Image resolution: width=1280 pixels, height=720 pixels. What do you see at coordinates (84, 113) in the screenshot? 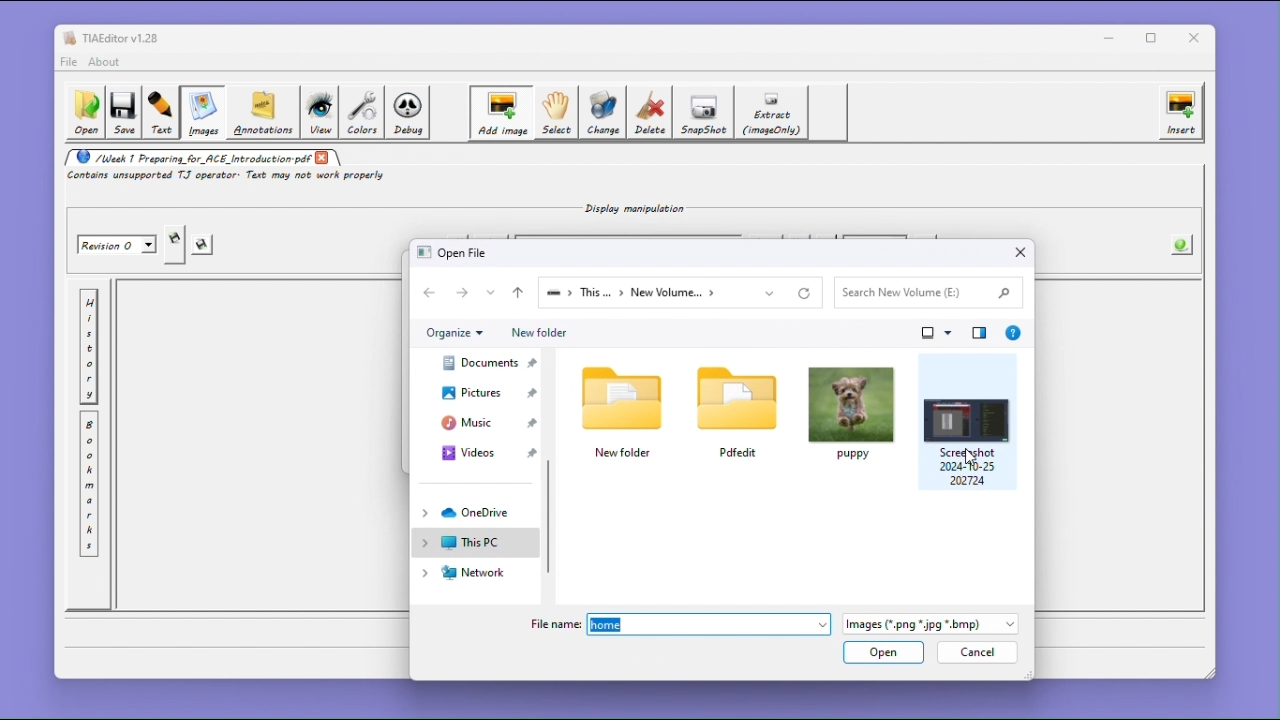
I see `Open` at bounding box center [84, 113].